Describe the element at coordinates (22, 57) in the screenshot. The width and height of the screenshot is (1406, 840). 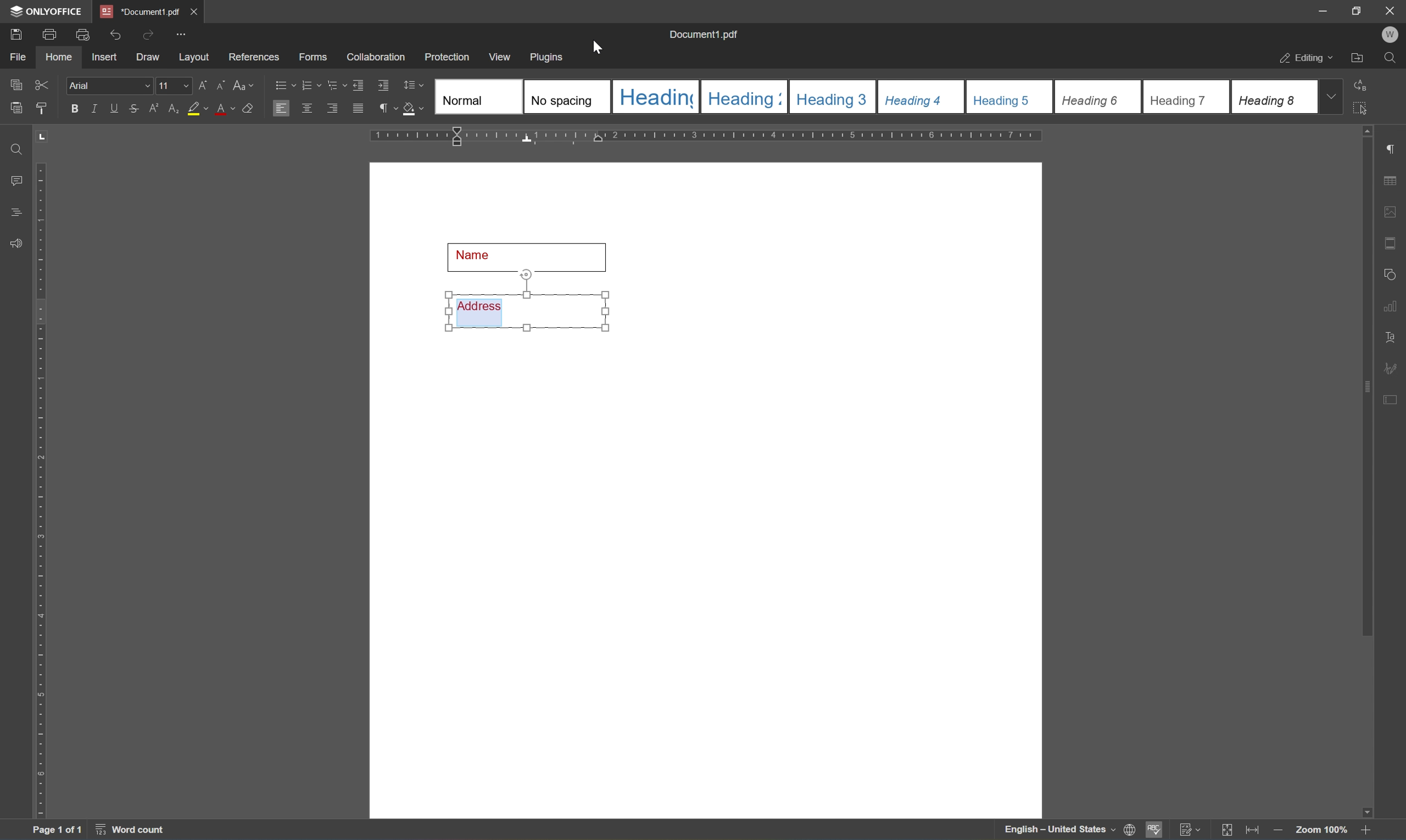
I see `file` at that location.